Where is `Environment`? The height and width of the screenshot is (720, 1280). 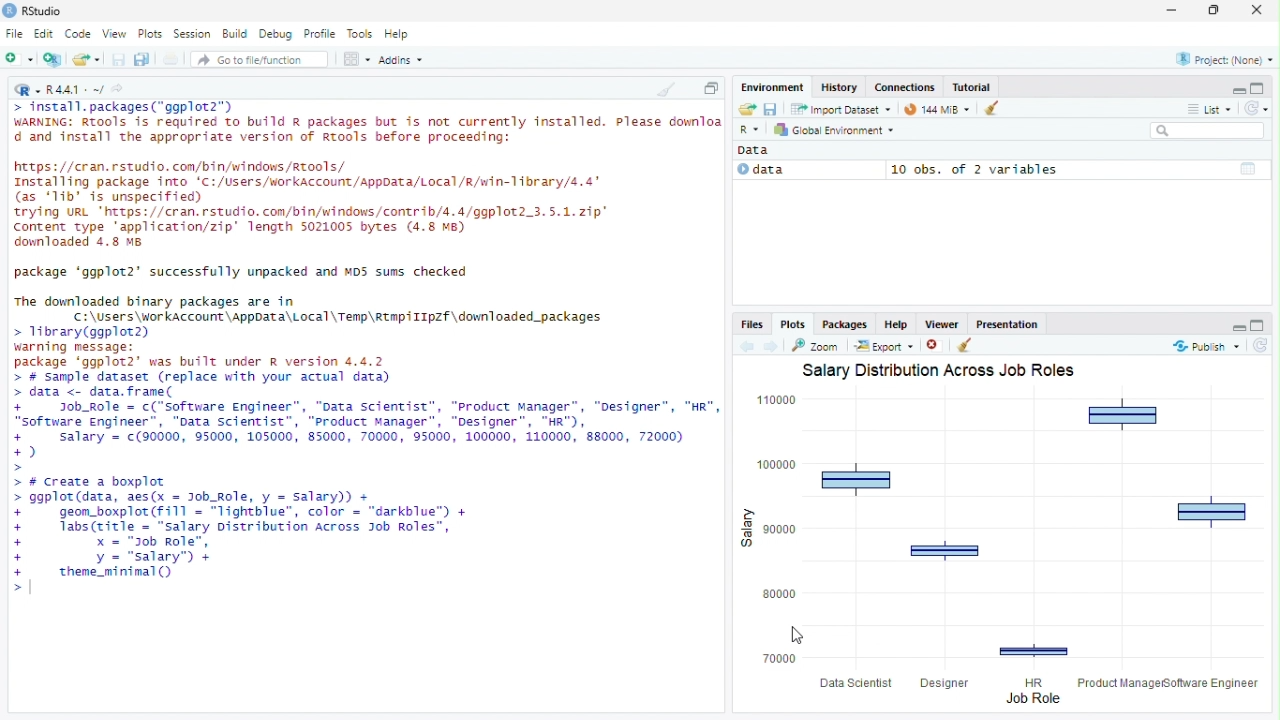
Environment is located at coordinates (773, 87).